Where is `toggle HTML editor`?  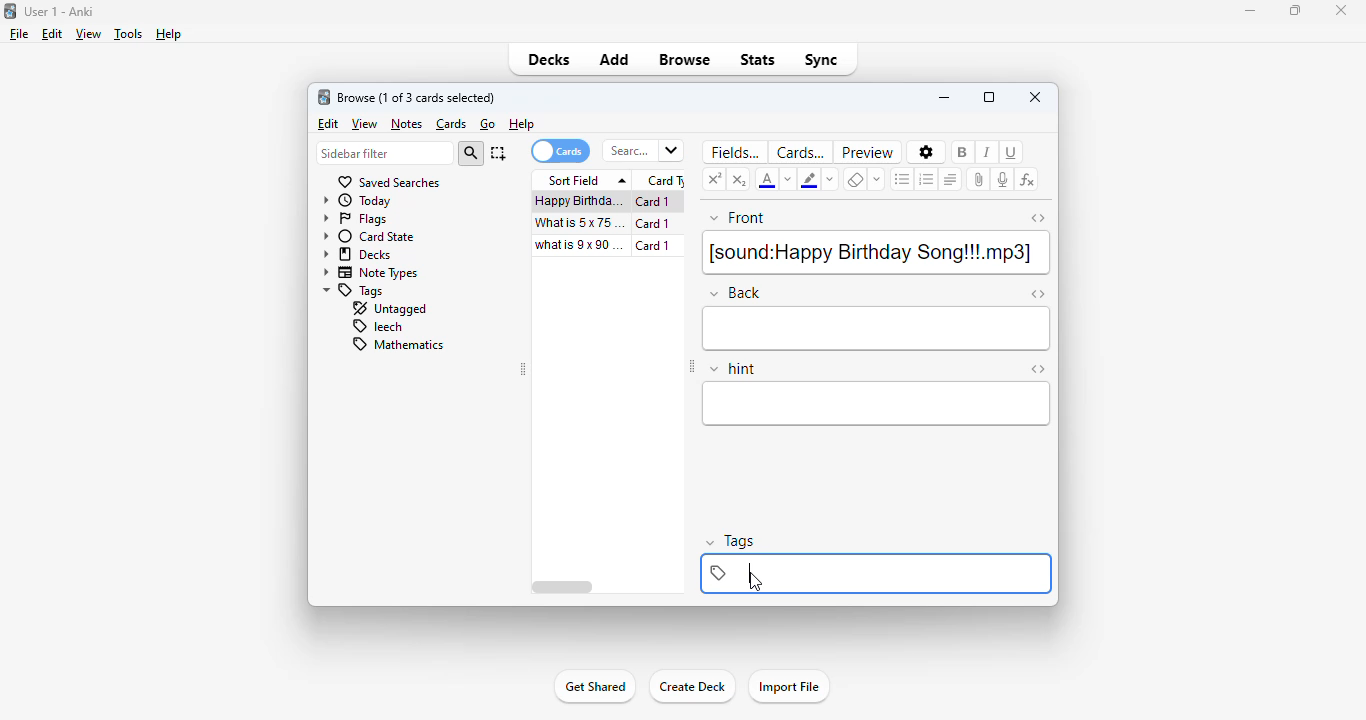
toggle HTML editor is located at coordinates (1038, 295).